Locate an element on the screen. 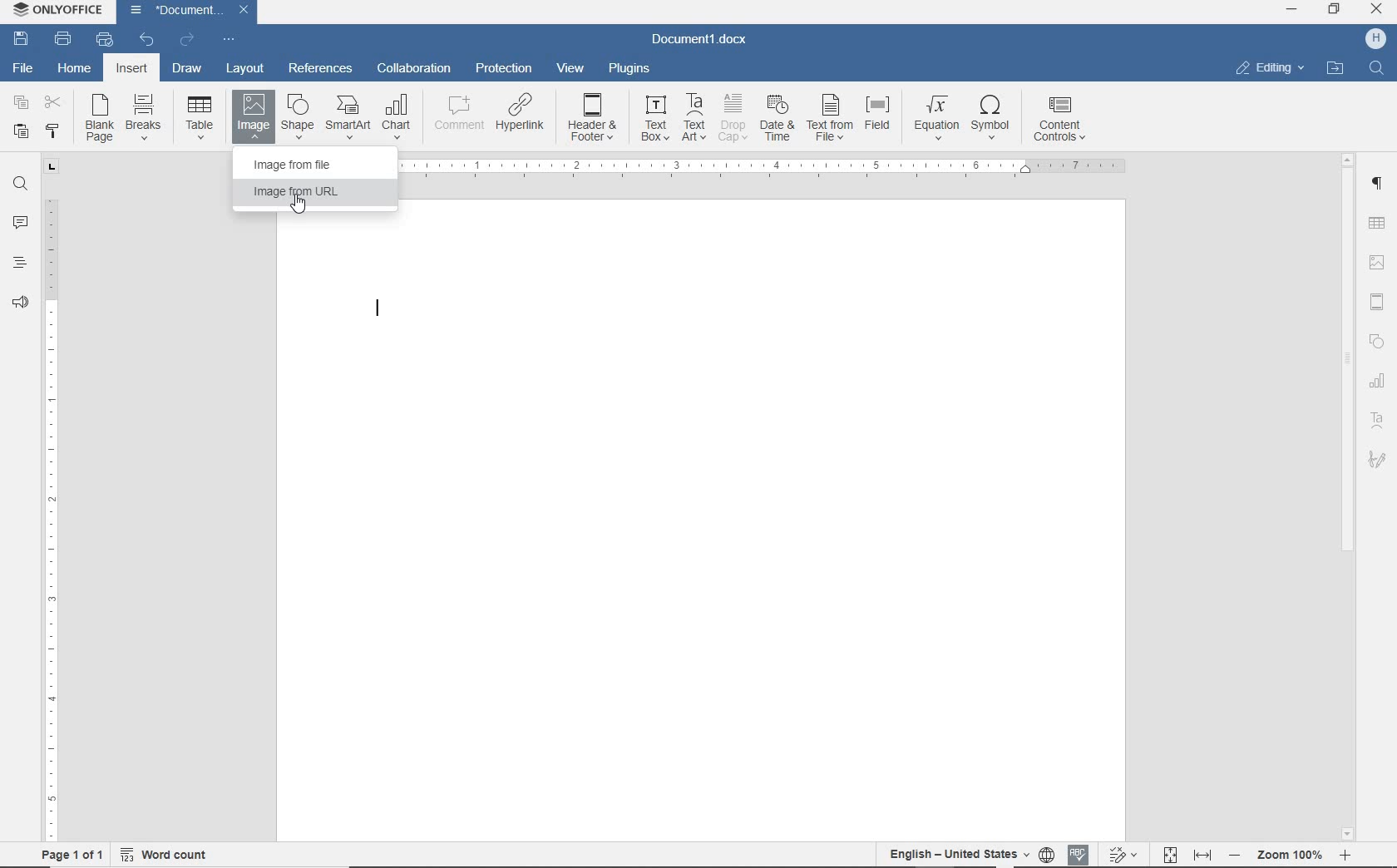 This screenshot has height=868, width=1397. comment is located at coordinates (457, 113).